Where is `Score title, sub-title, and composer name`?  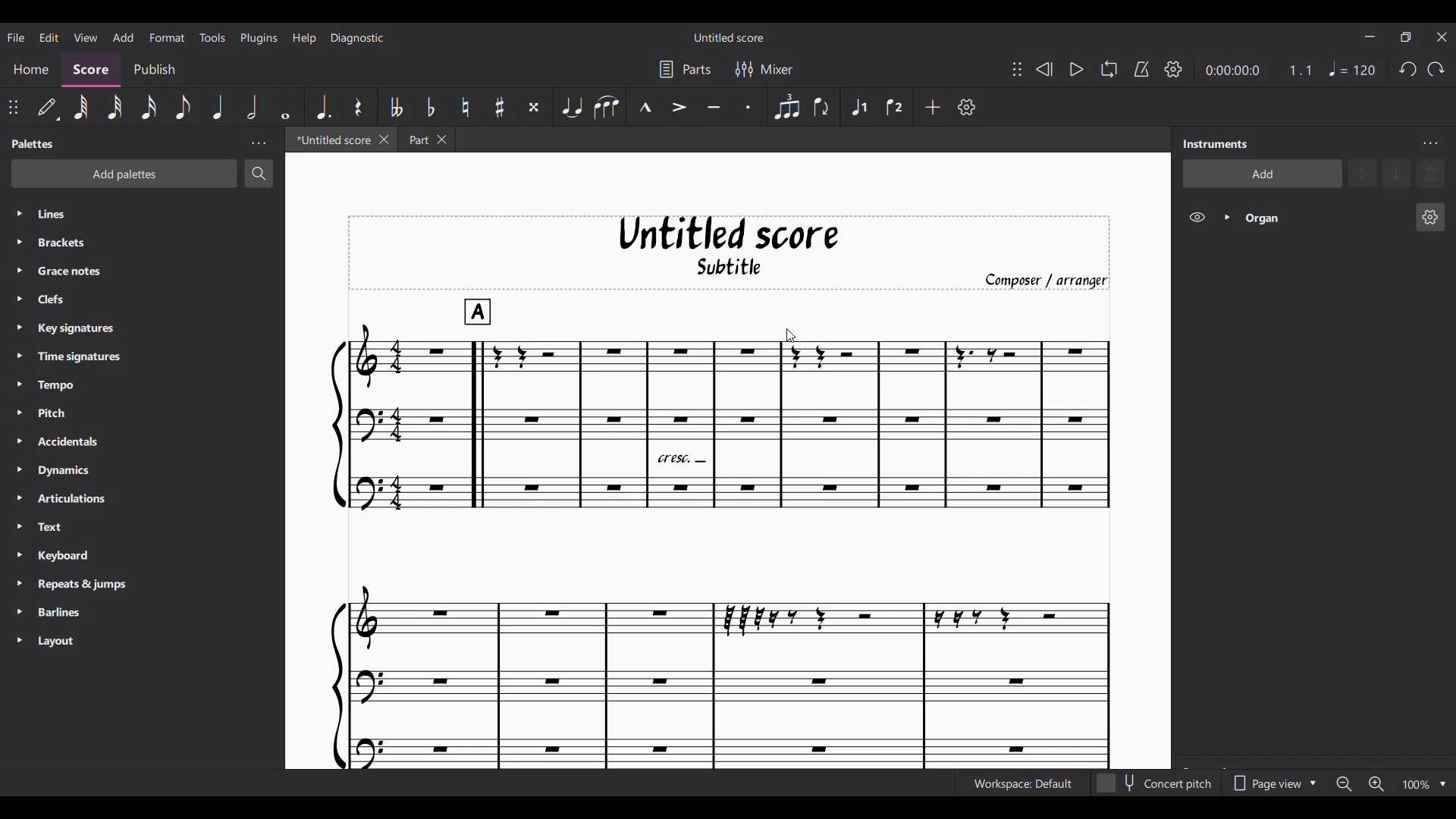 Score title, sub-title, and composer name is located at coordinates (730, 253).